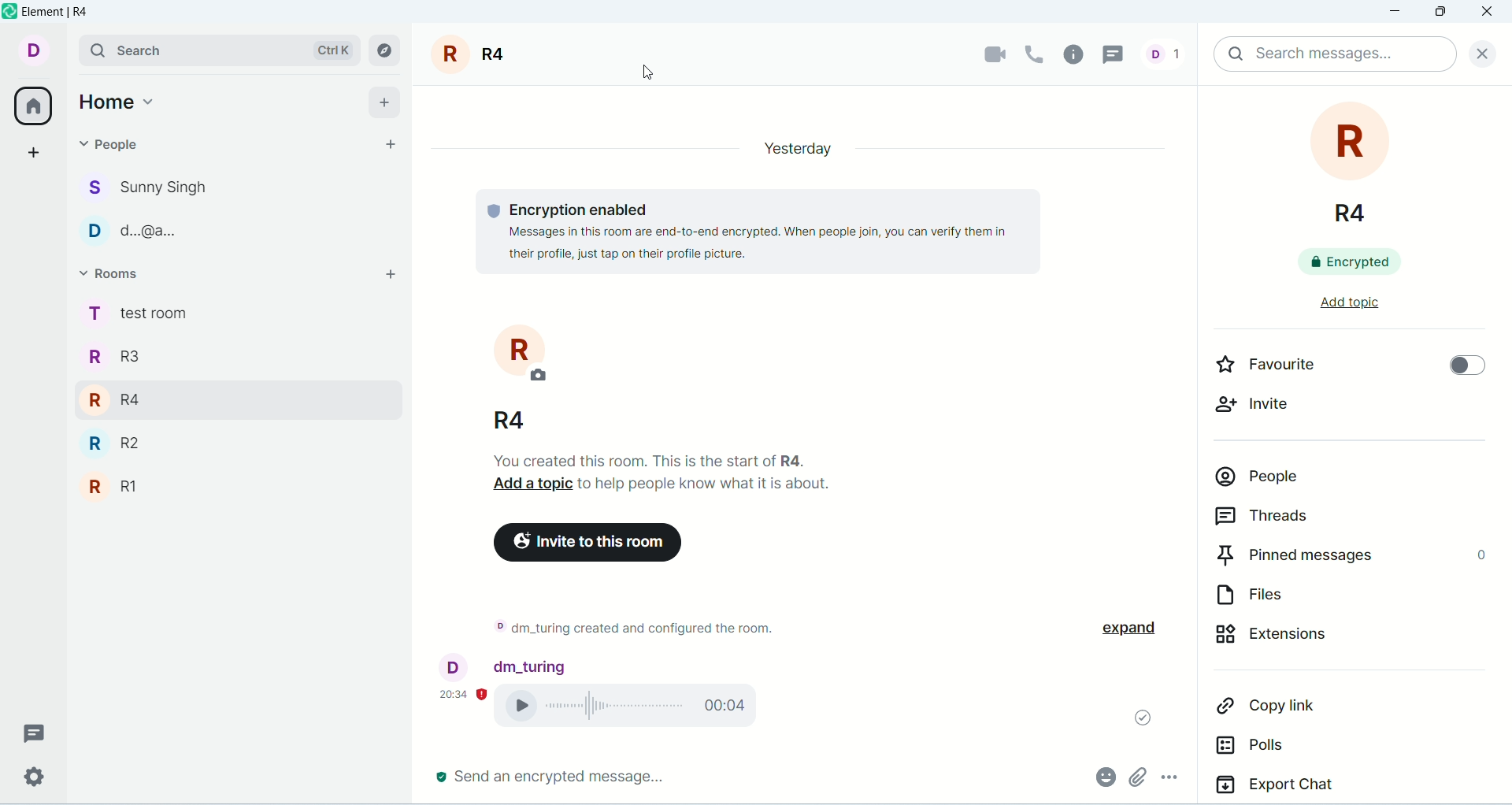 The height and width of the screenshot is (805, 1512). What do you see at coordinates (218, 49) in the screenshot?
I see `search` at bounding box center [218, 49].